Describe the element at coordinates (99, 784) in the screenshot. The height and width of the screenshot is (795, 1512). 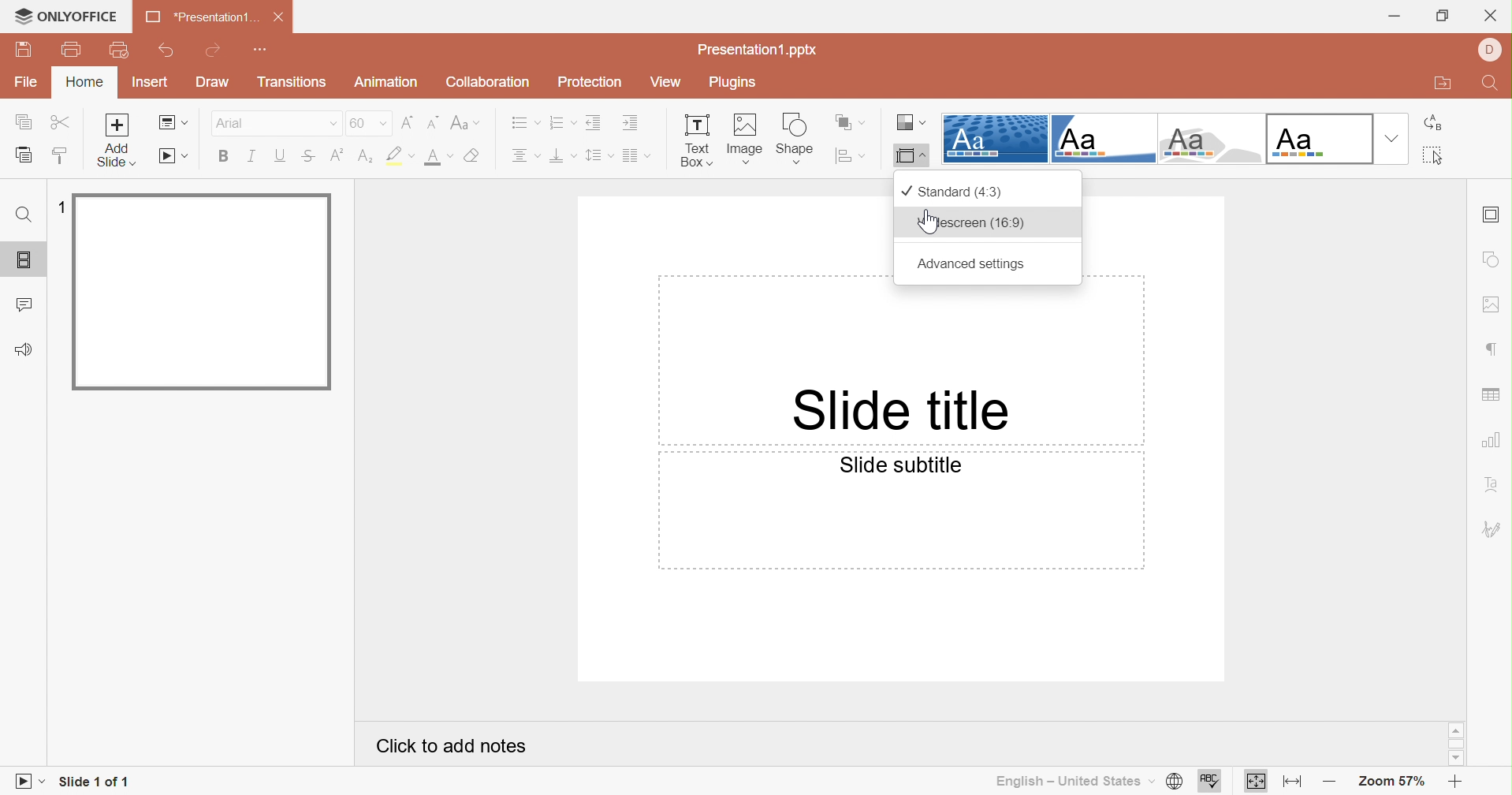
I see `Slide 1 of 1` at that location.